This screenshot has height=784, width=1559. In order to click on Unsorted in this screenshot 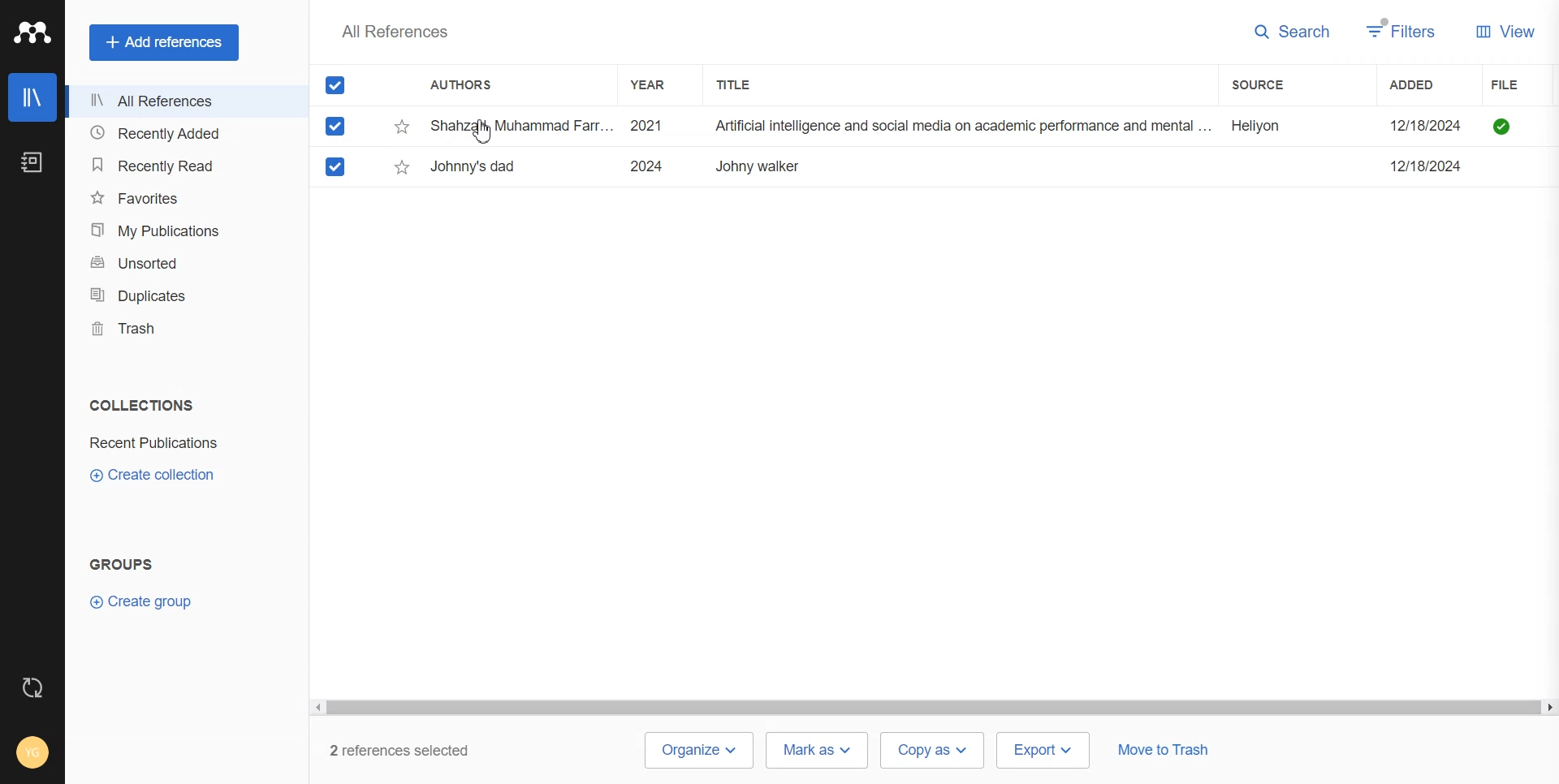, I will do `click(181, 263)`.